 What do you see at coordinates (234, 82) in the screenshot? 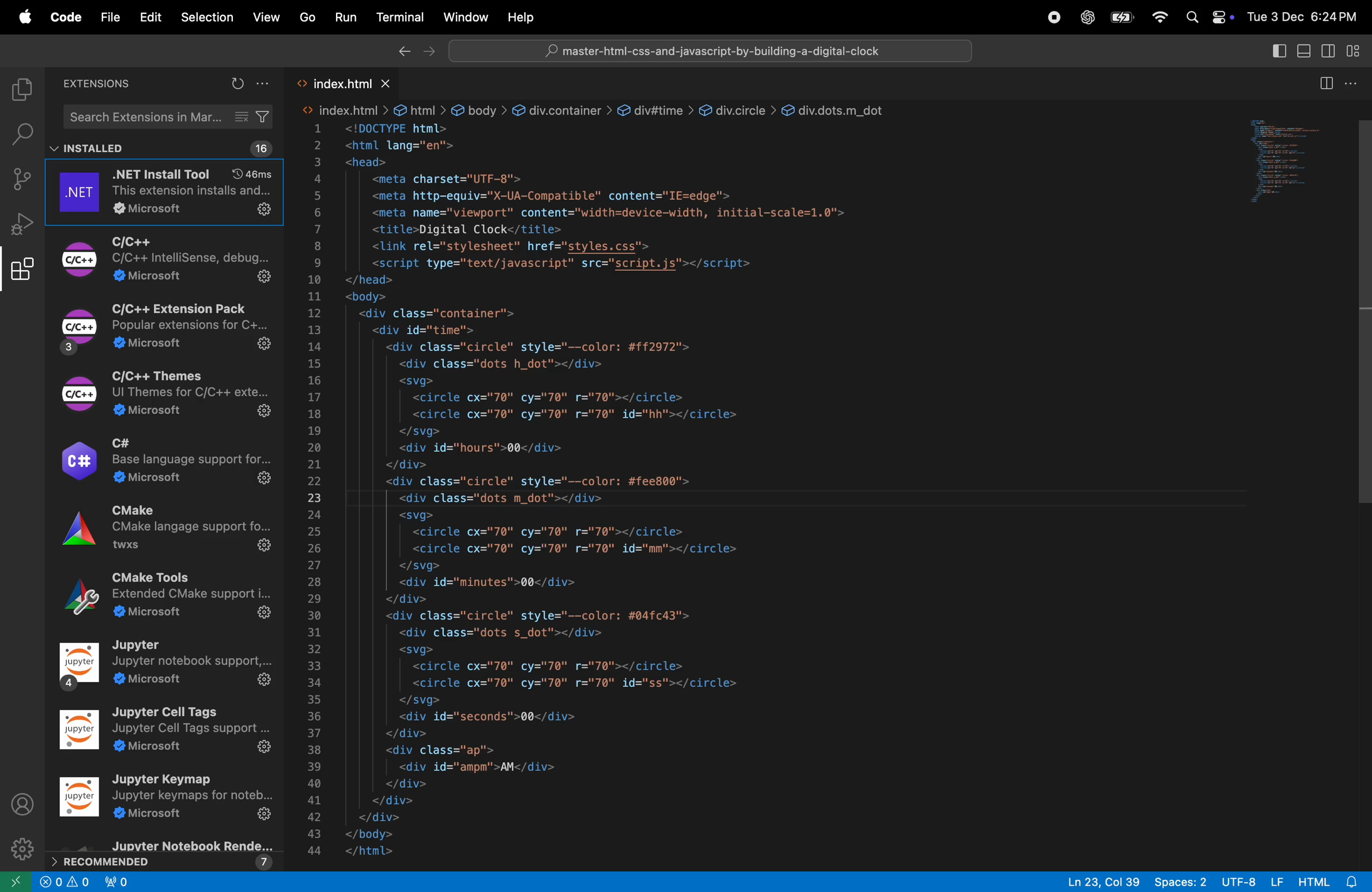
I see `refresh` at bounding box center [234, 82].